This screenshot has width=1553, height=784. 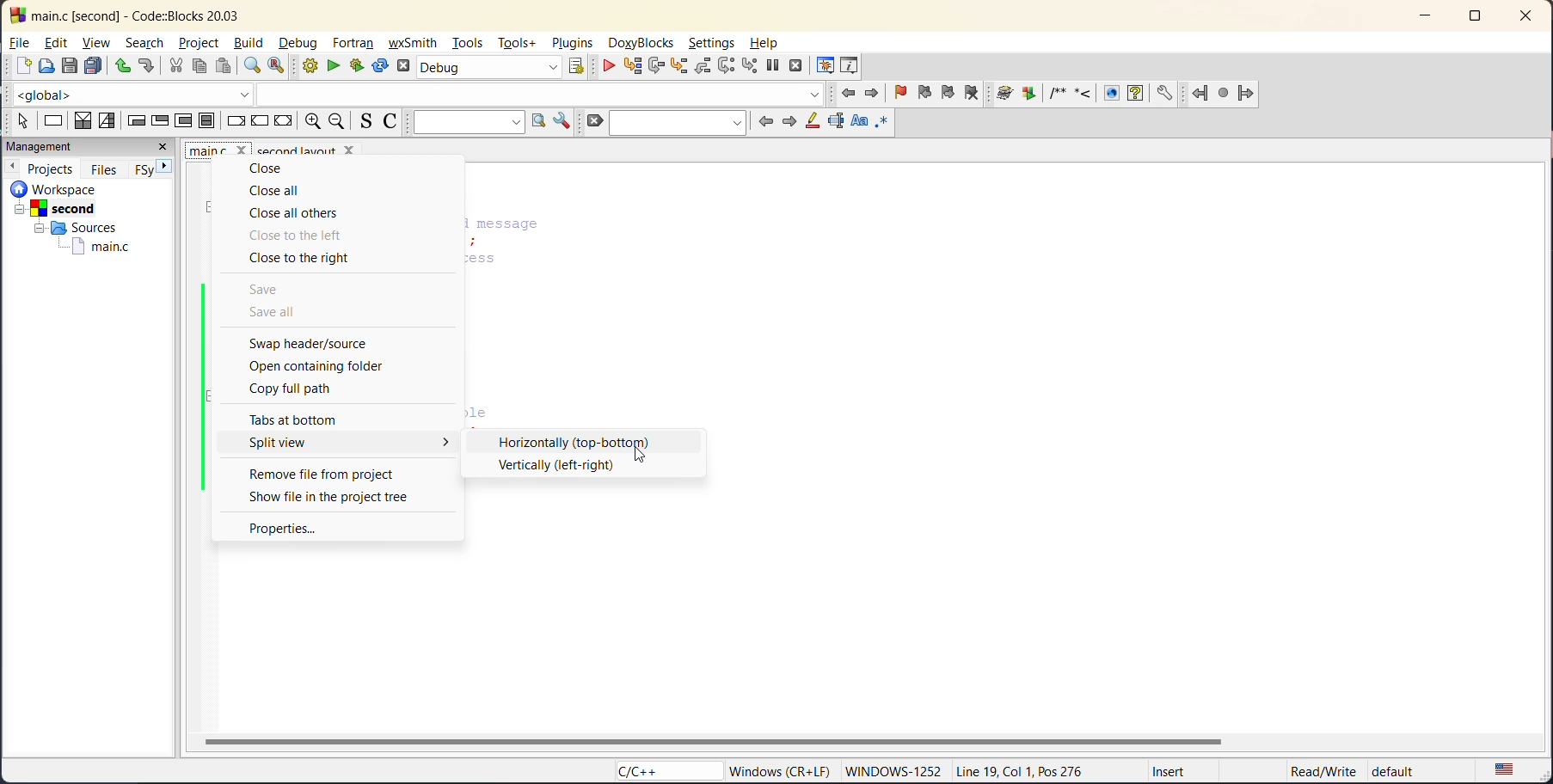 I want to click on file names, so click(x=216, y=150).